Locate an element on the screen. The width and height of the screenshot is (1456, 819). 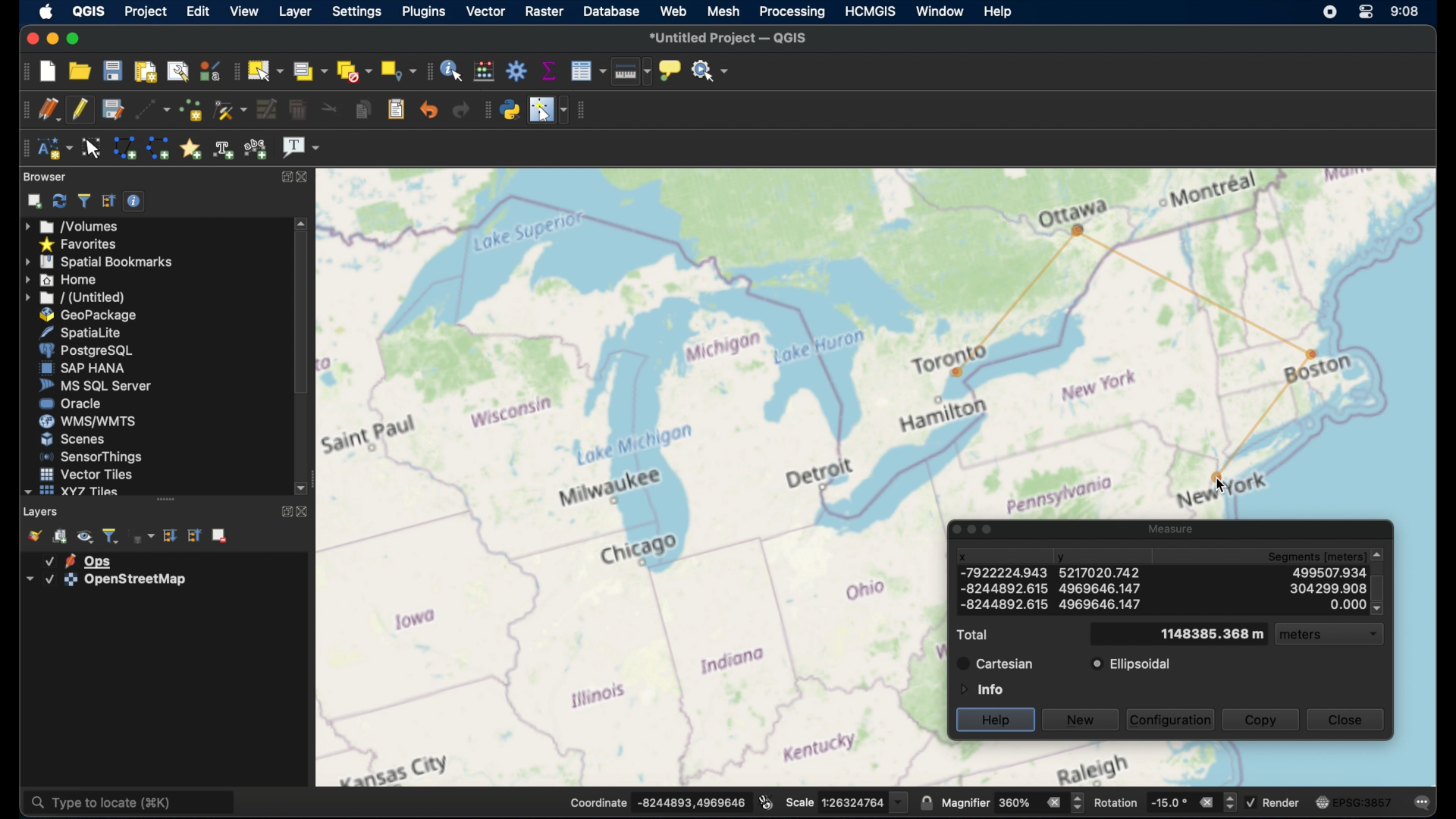
volumes menu is located at coordinates (75, 225).